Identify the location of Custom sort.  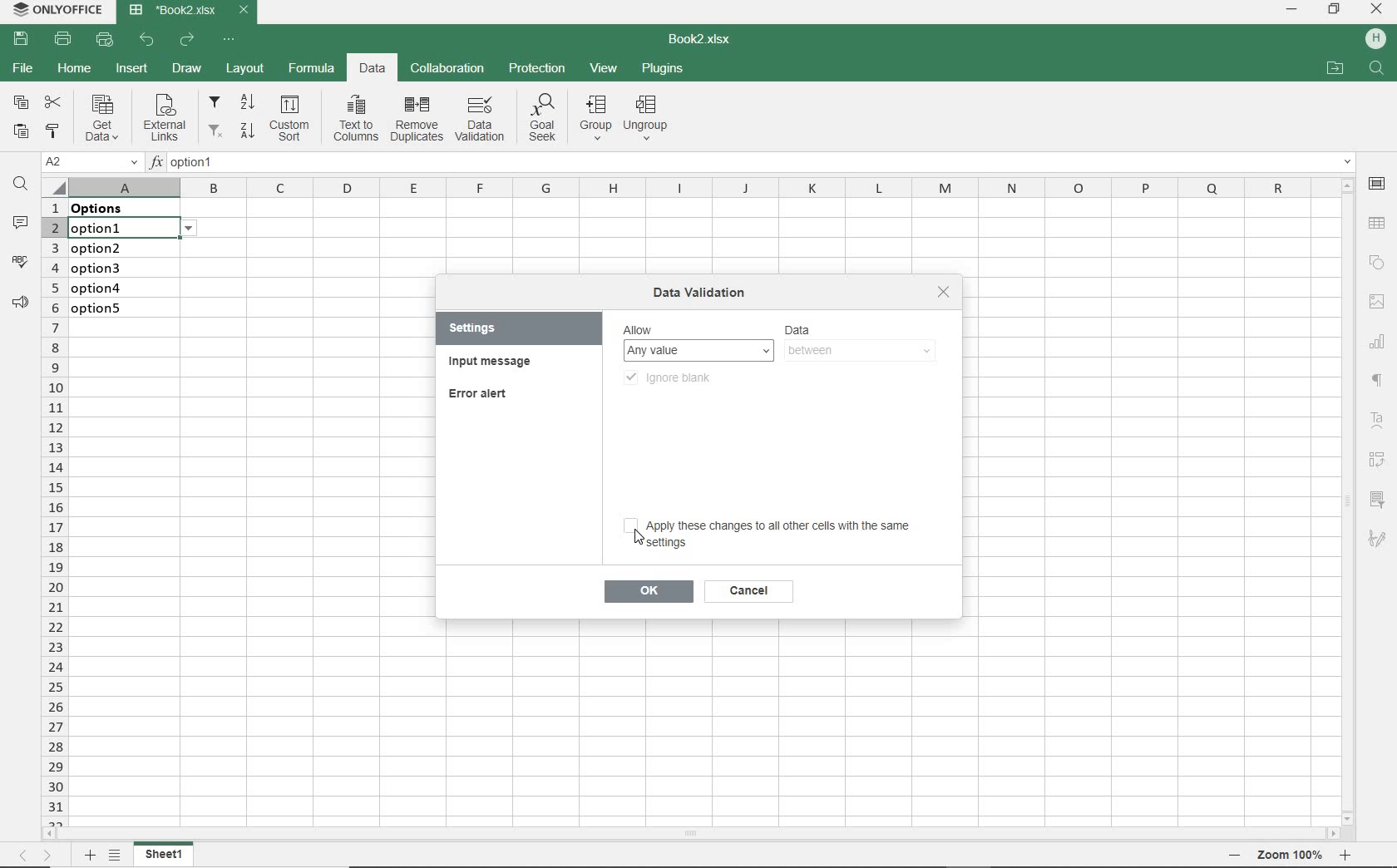
(292, 118).